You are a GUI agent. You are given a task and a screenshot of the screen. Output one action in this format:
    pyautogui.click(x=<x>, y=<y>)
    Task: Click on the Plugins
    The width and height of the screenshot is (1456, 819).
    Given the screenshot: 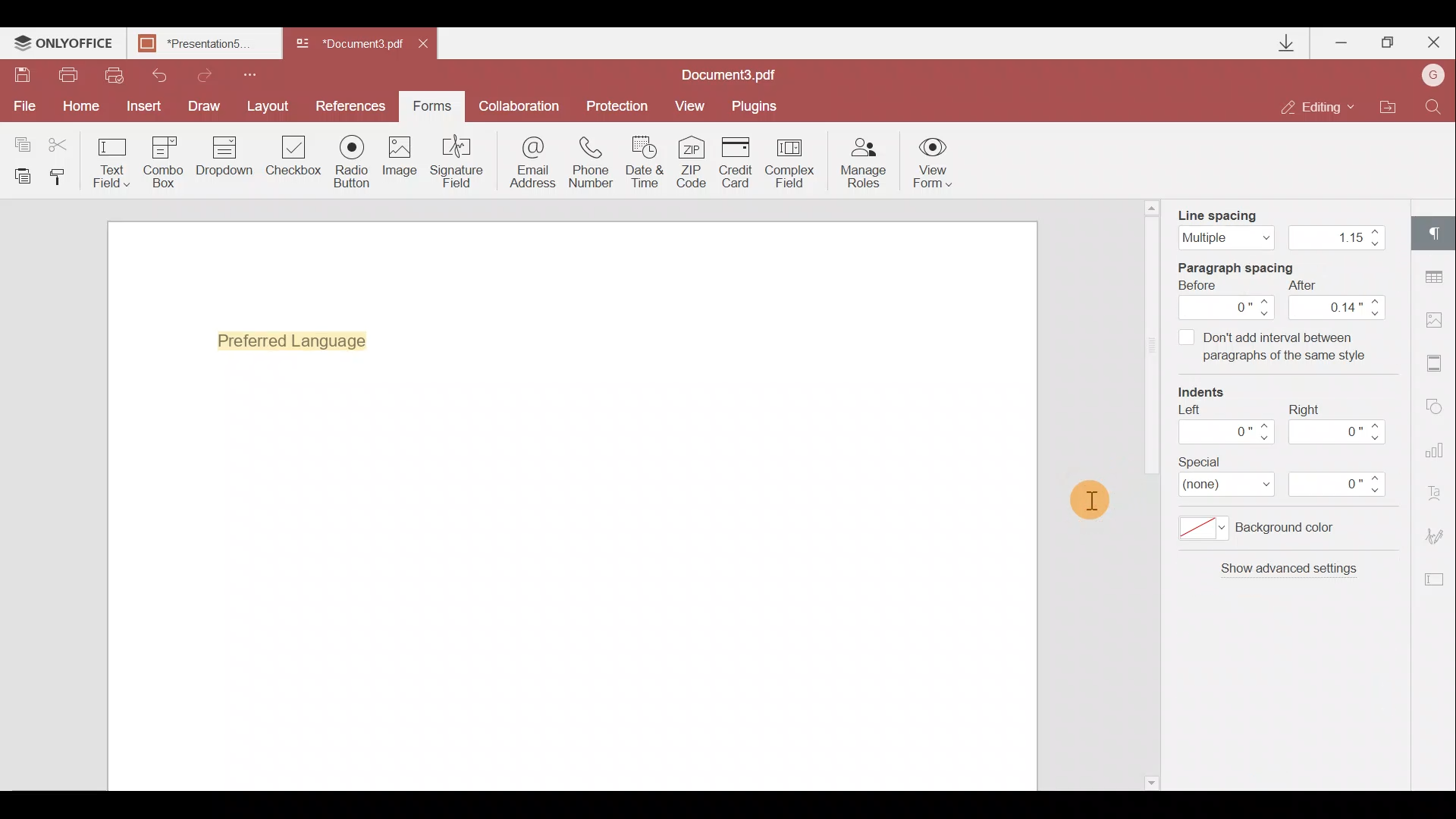 What is the action you would take?
    pyautogui.click(x=757, y=104)
    